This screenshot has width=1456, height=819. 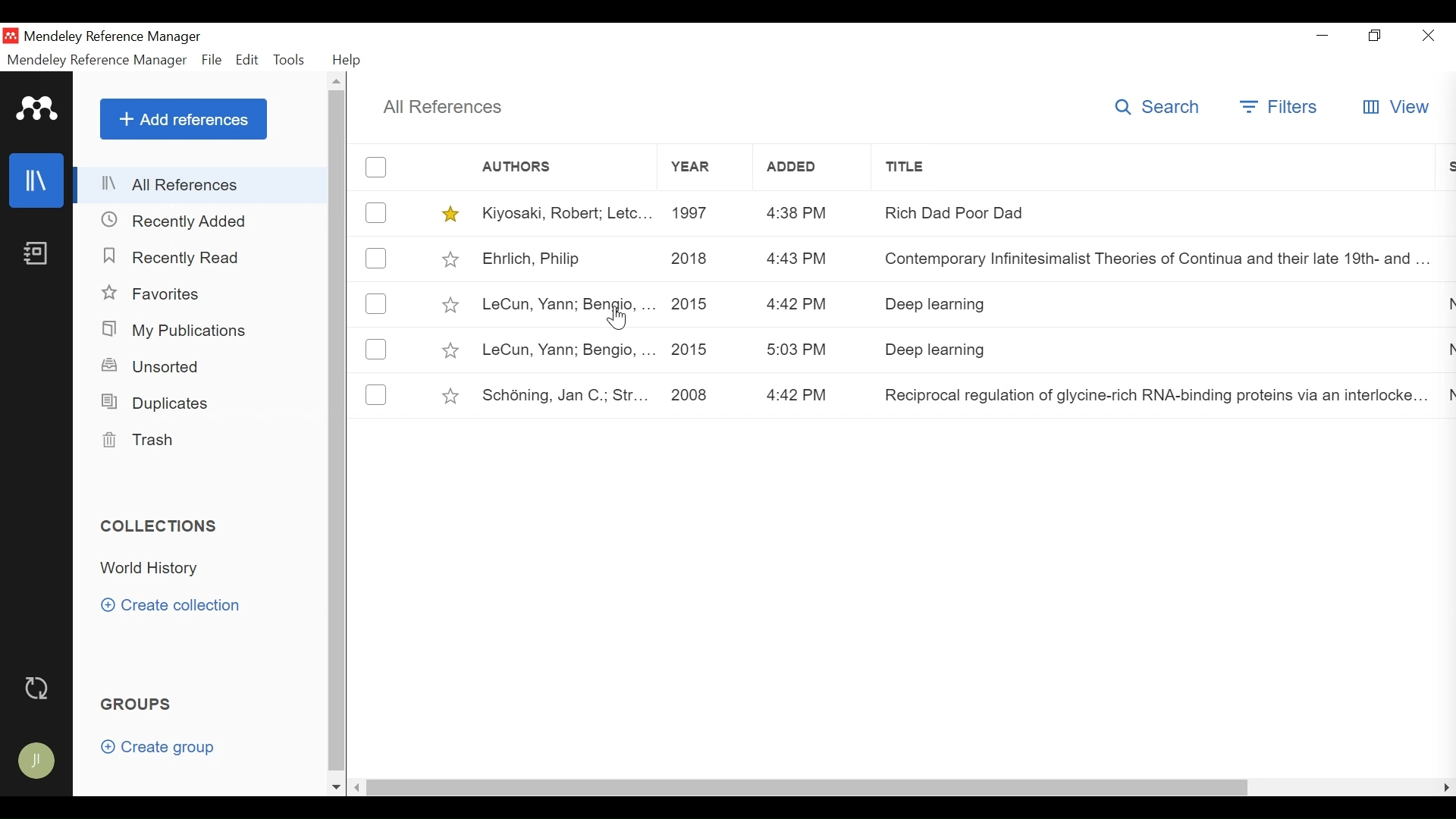 I want to click on LeCun, Yann, Bengio, so click(x=566, y=306).